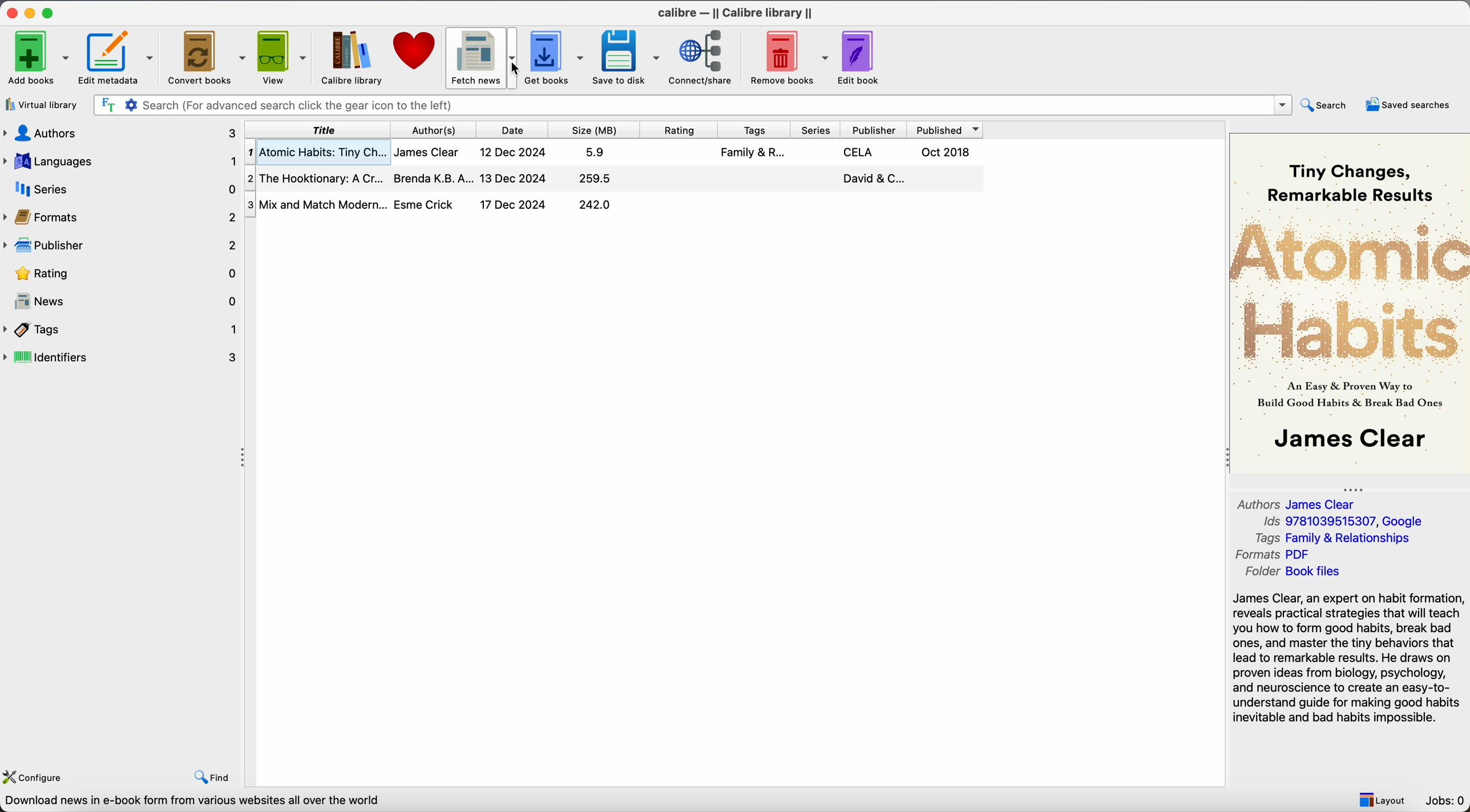  What do you see at coordinates (859, 152) in the screenshot?
I see `CELA` at bounding box center [859, 152].